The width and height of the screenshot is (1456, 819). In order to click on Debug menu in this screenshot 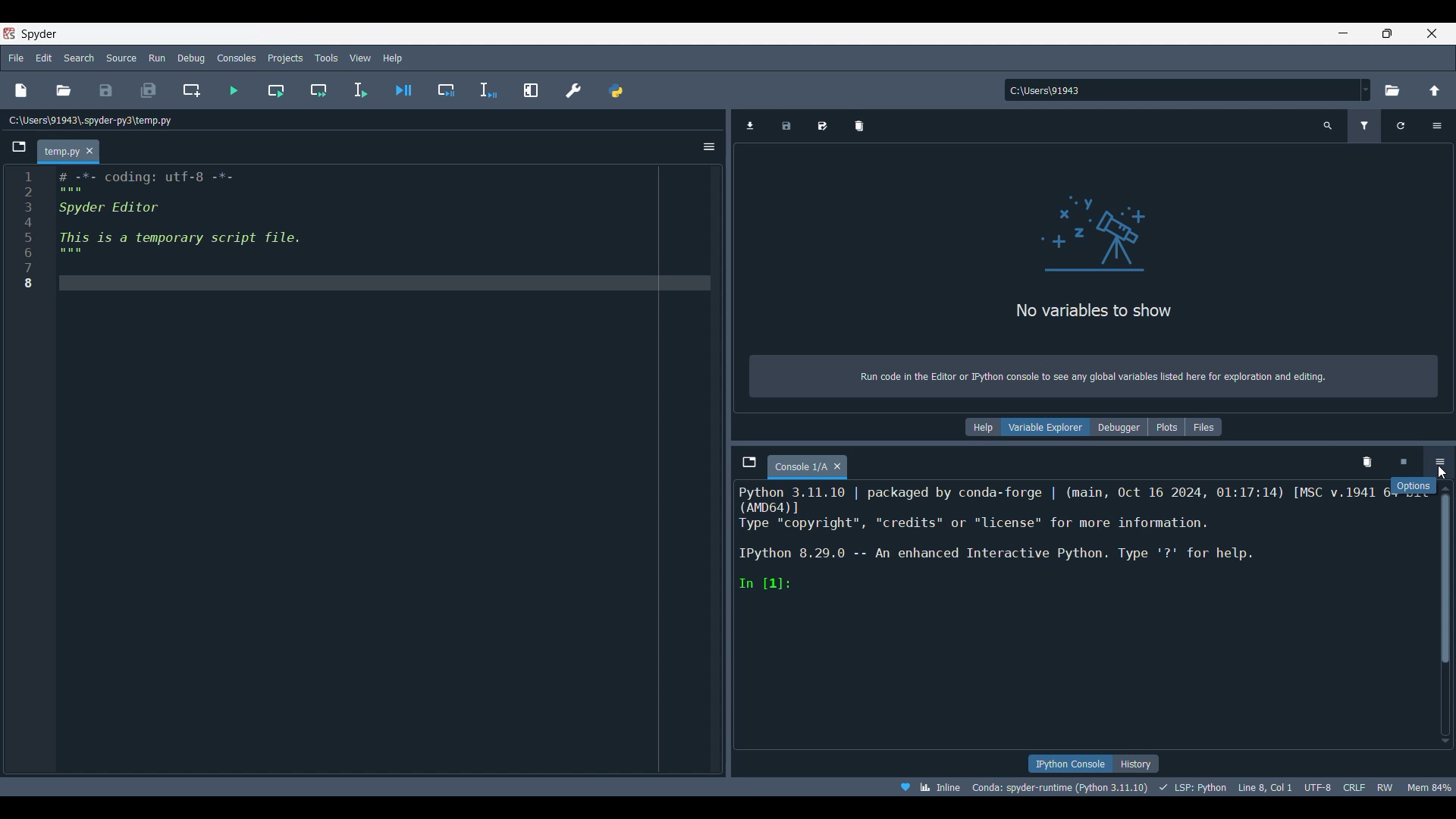, I will do `click(192, 58)`.